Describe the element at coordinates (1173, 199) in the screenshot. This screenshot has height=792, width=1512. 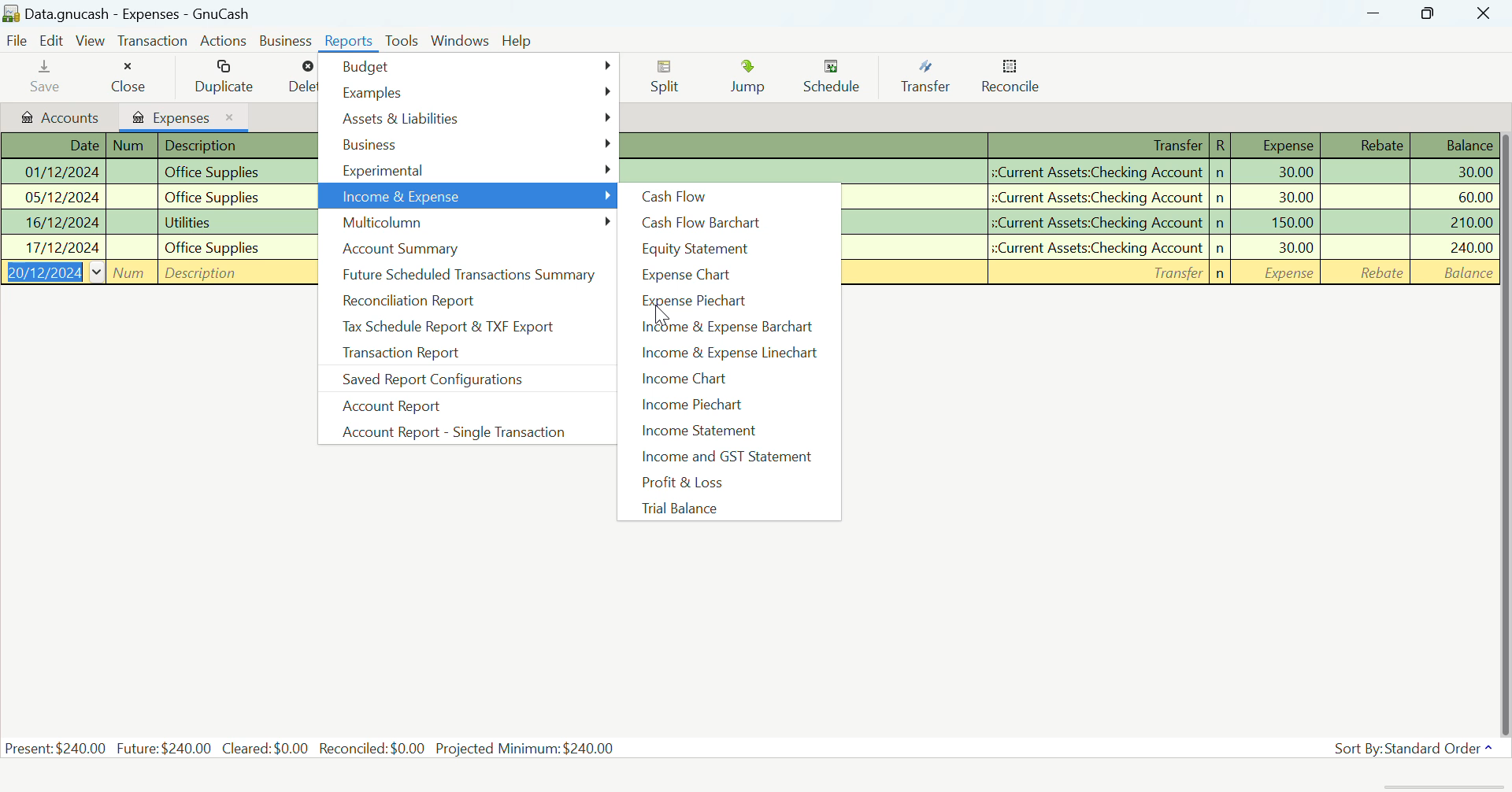
I see `Office Supplies` at that location.